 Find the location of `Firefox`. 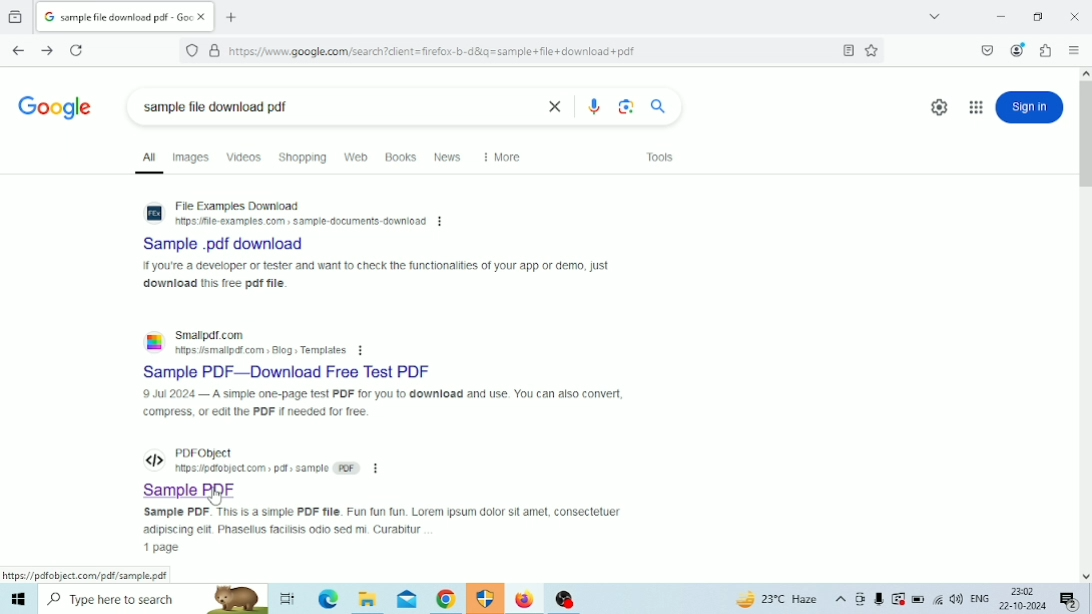

Firefox is located at coordinates (524, 599).